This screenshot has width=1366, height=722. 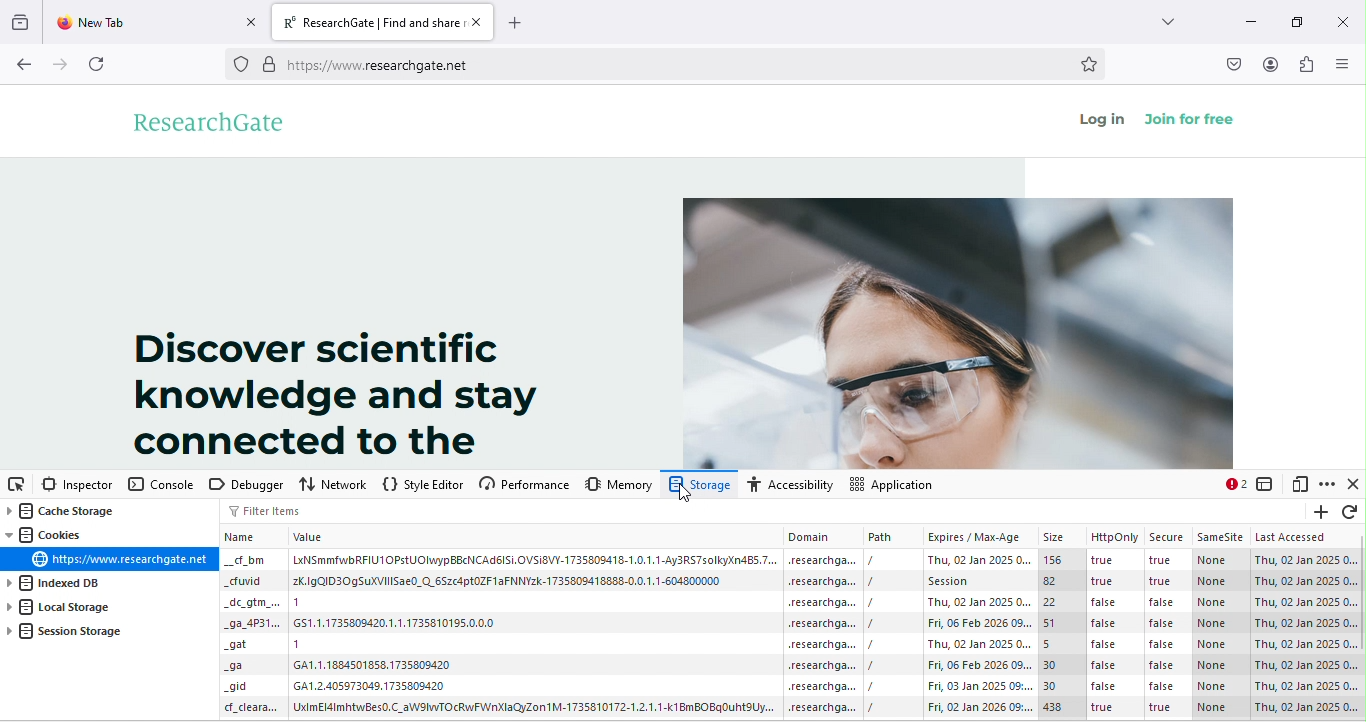 I want to click on close, so click(x=1353, y=483).